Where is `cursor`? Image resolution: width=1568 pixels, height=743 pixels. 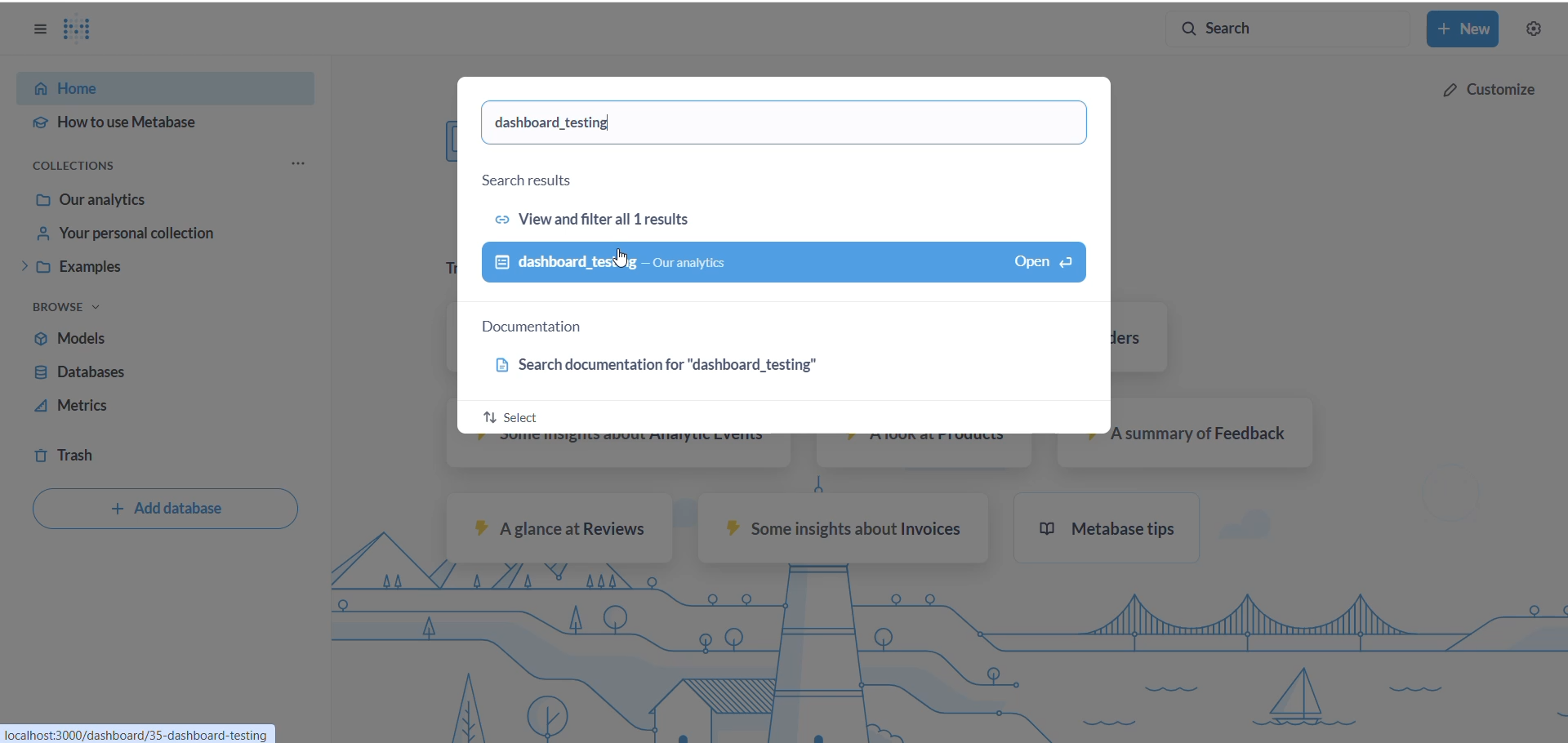 cursor is located at coordinates (623, 256).